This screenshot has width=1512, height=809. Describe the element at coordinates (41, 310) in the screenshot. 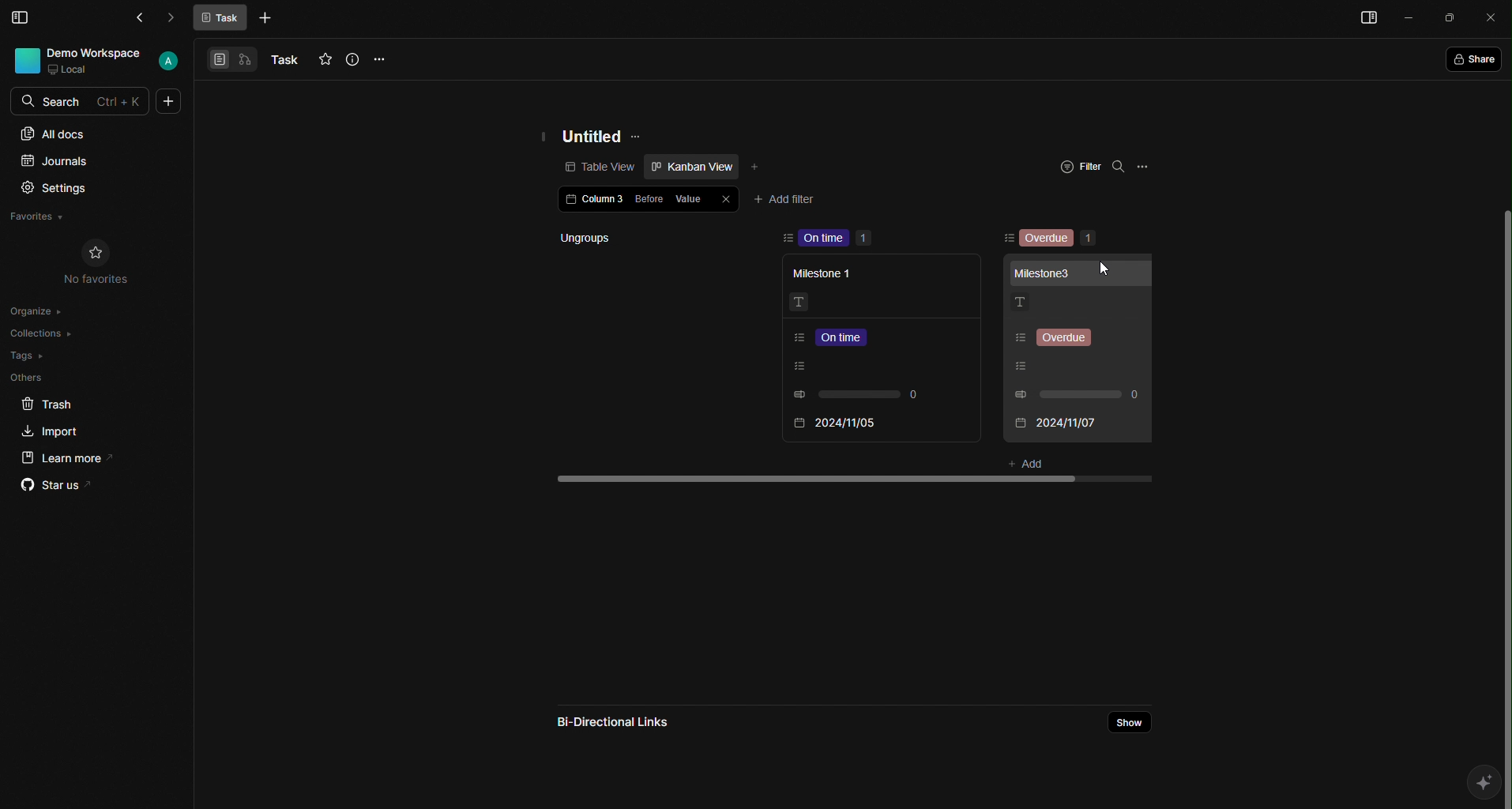

I see `Organize` at that location.